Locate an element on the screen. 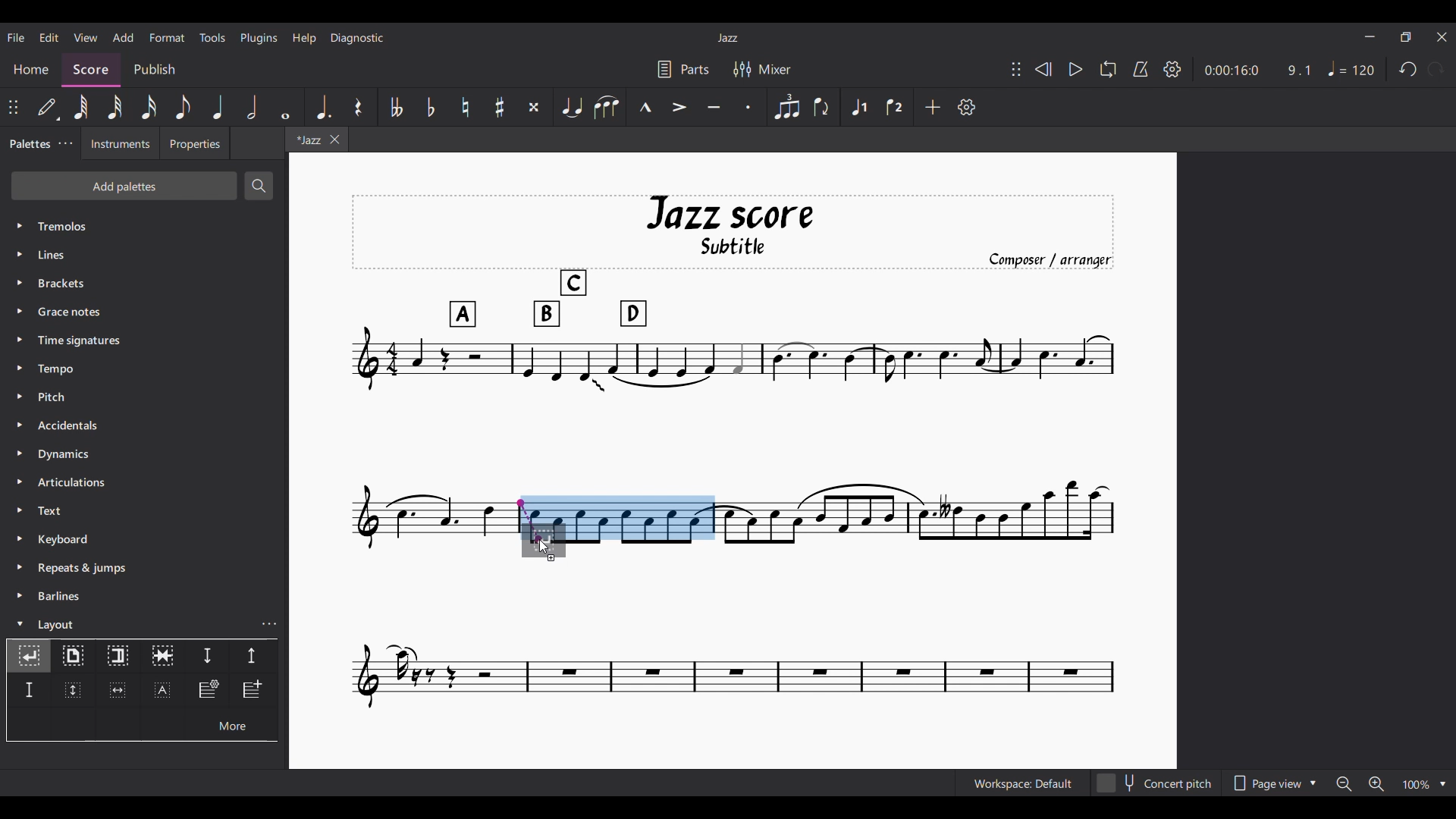  Preview of addition is located at coordinates (555, 538).